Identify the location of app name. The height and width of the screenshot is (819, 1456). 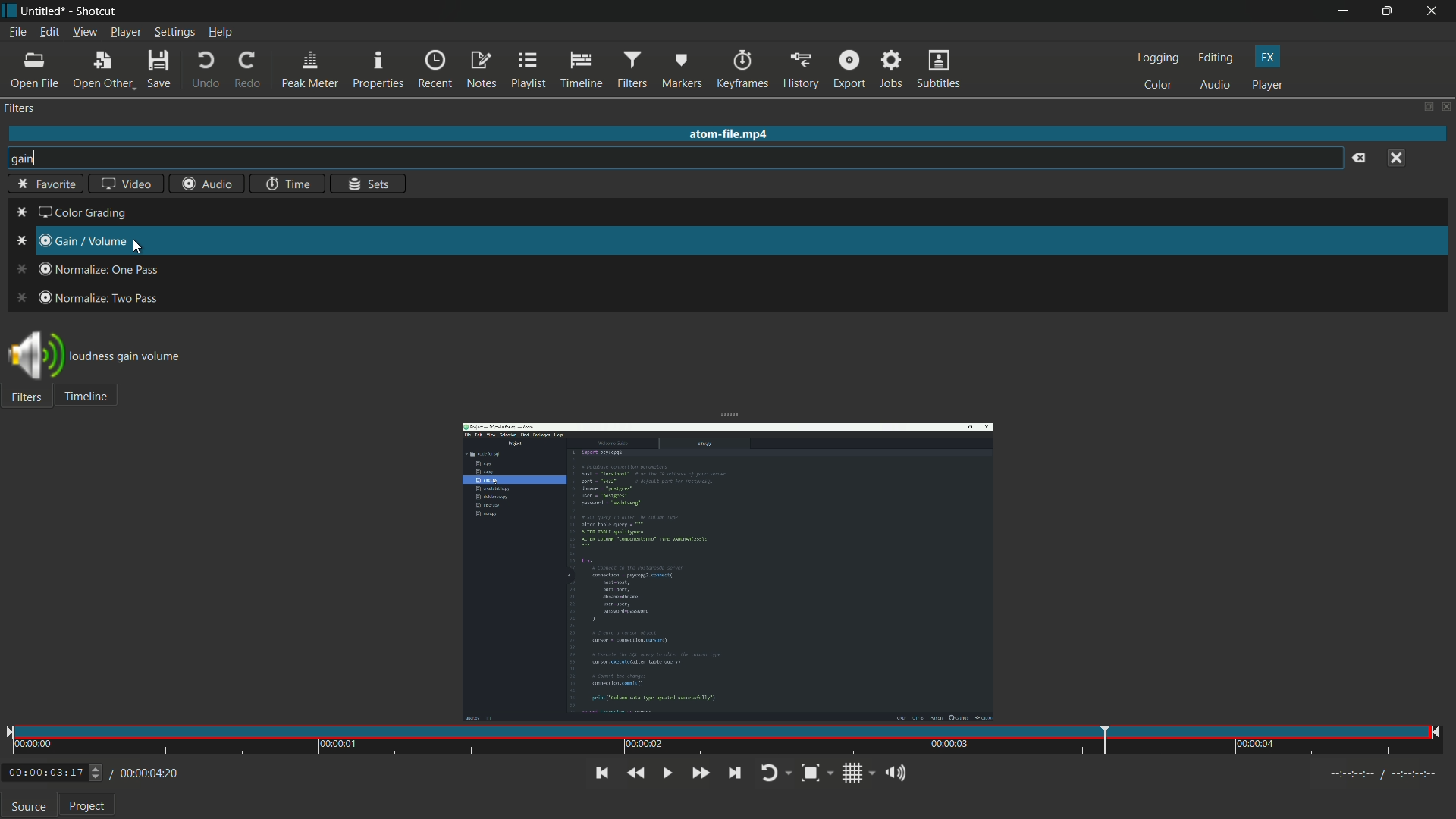
(94, 11).